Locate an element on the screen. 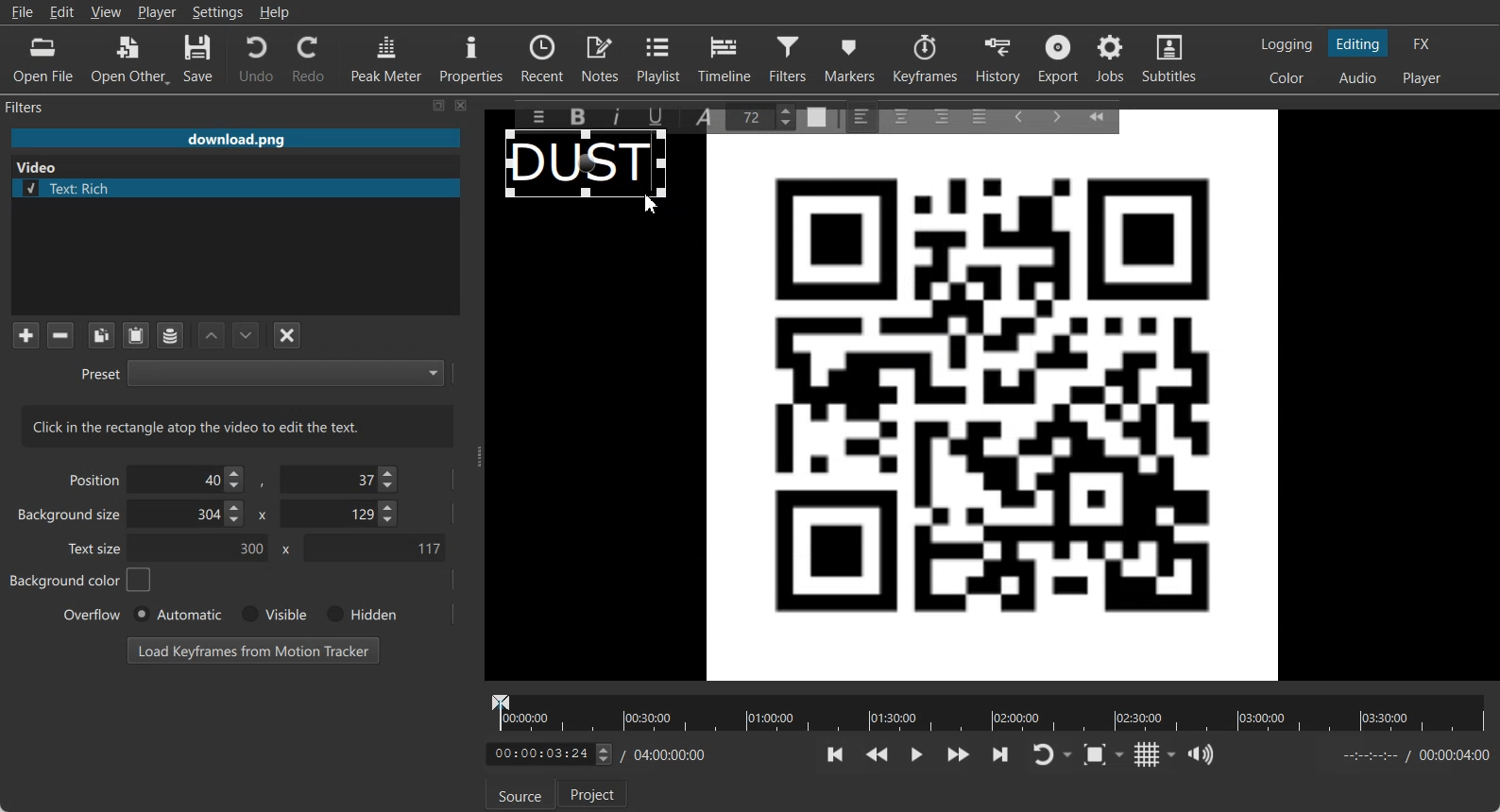  Switching to the Audio layout is located at coordinates (1359, 78).